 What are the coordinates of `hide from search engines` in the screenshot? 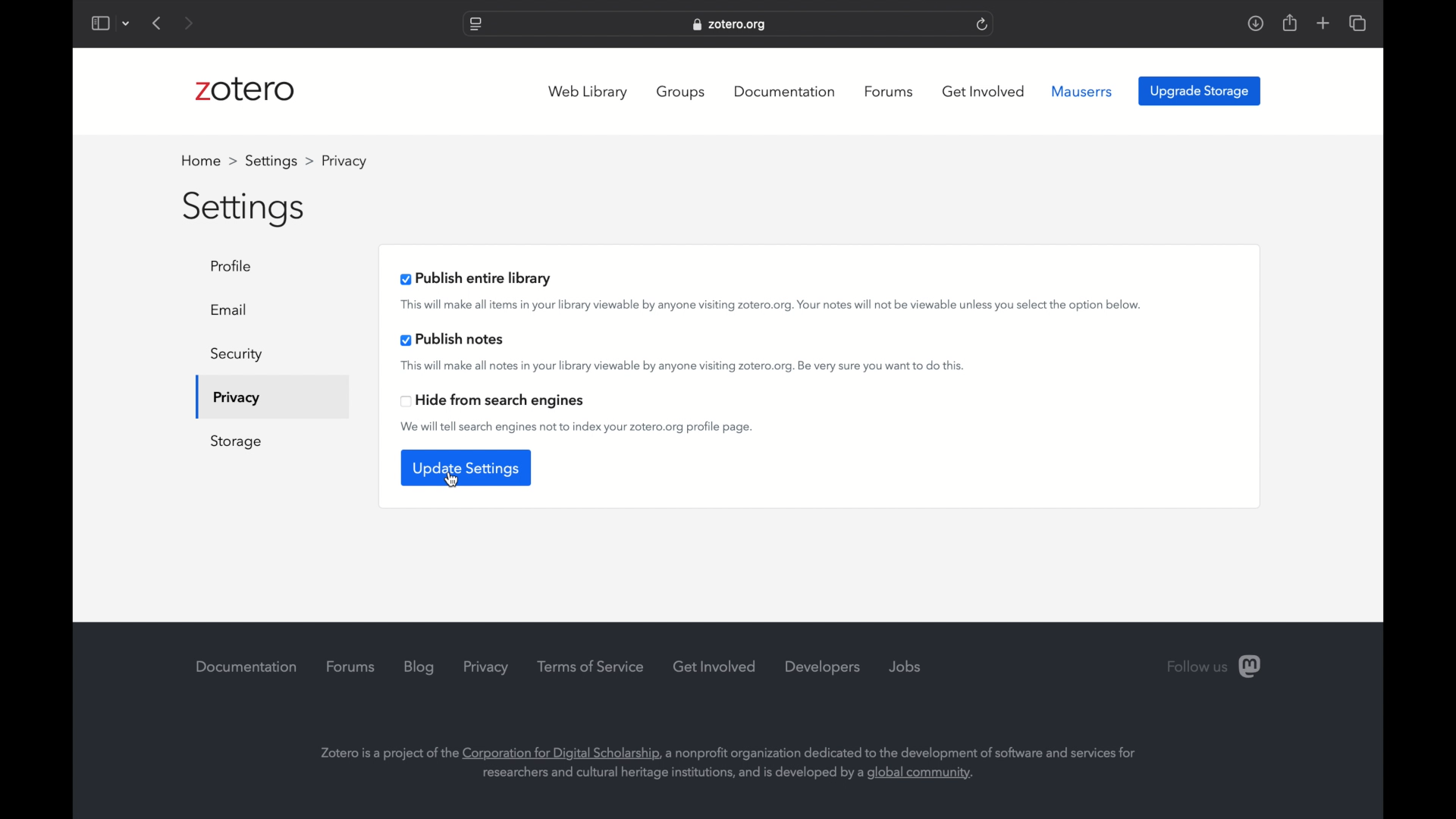 It's located at (492, 401).